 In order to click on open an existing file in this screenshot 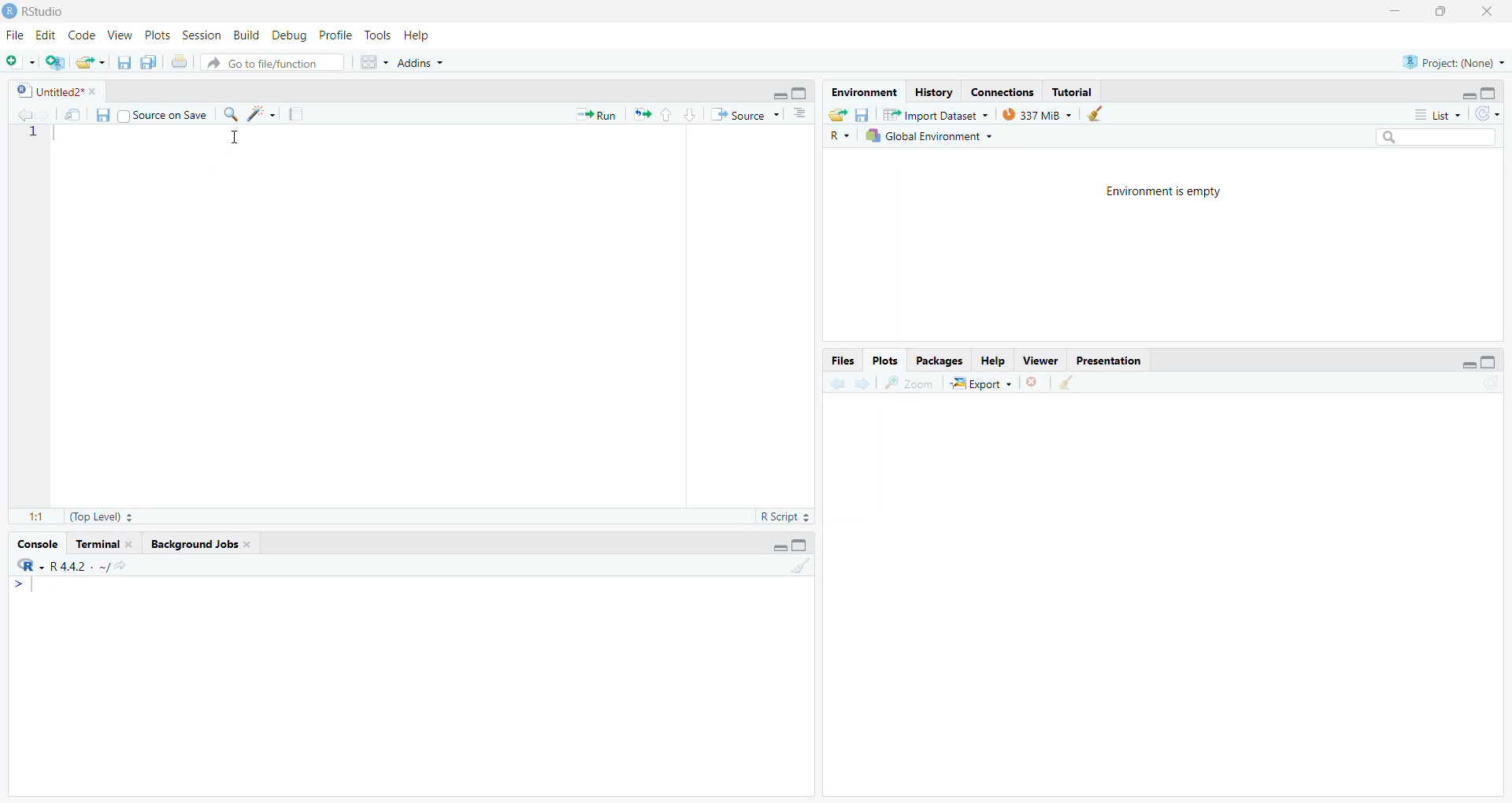, I will do `click(91, 62)`.